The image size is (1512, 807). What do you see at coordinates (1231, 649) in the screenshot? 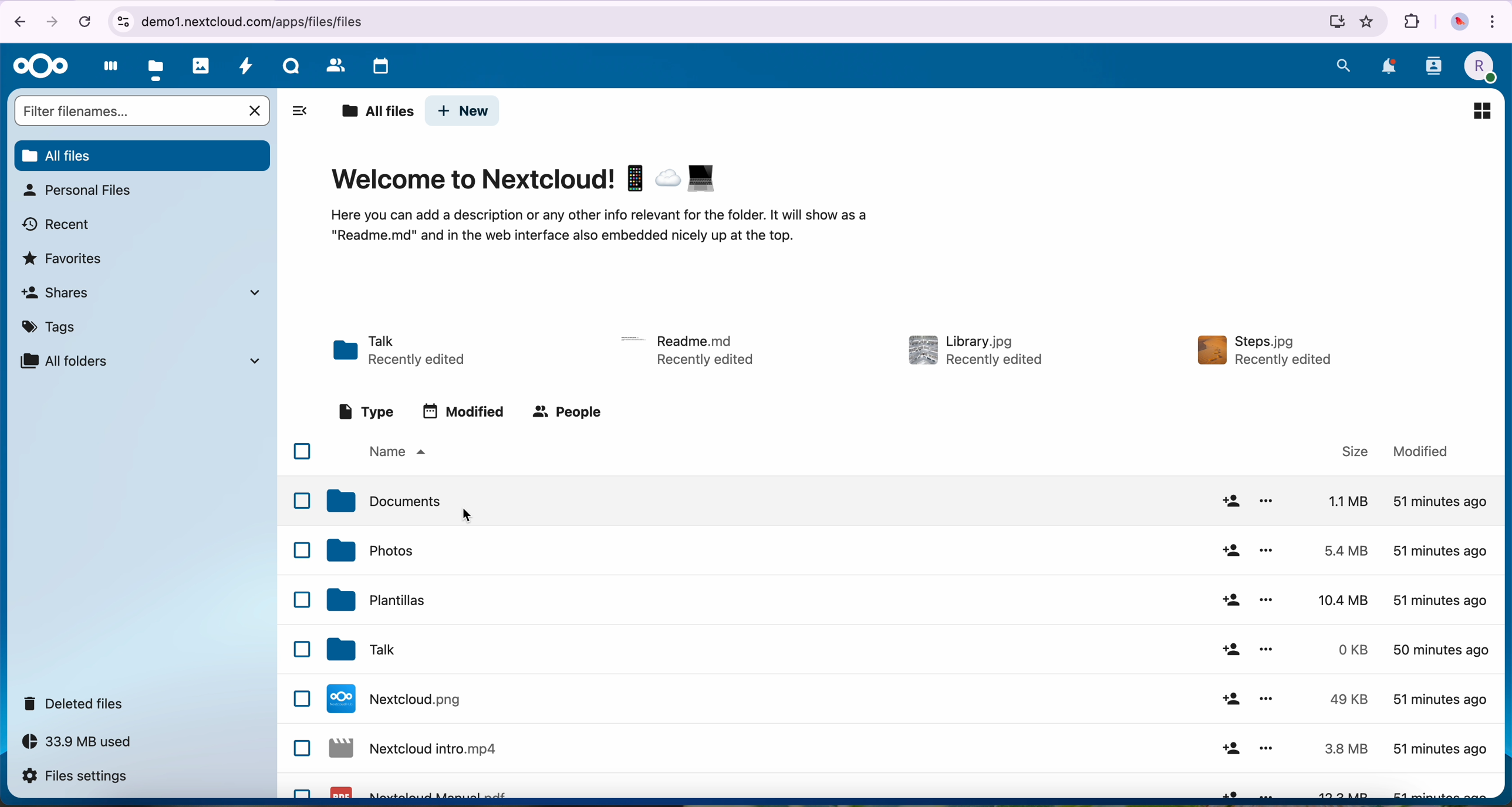
I see `add` at bounding box center [1231, 649].